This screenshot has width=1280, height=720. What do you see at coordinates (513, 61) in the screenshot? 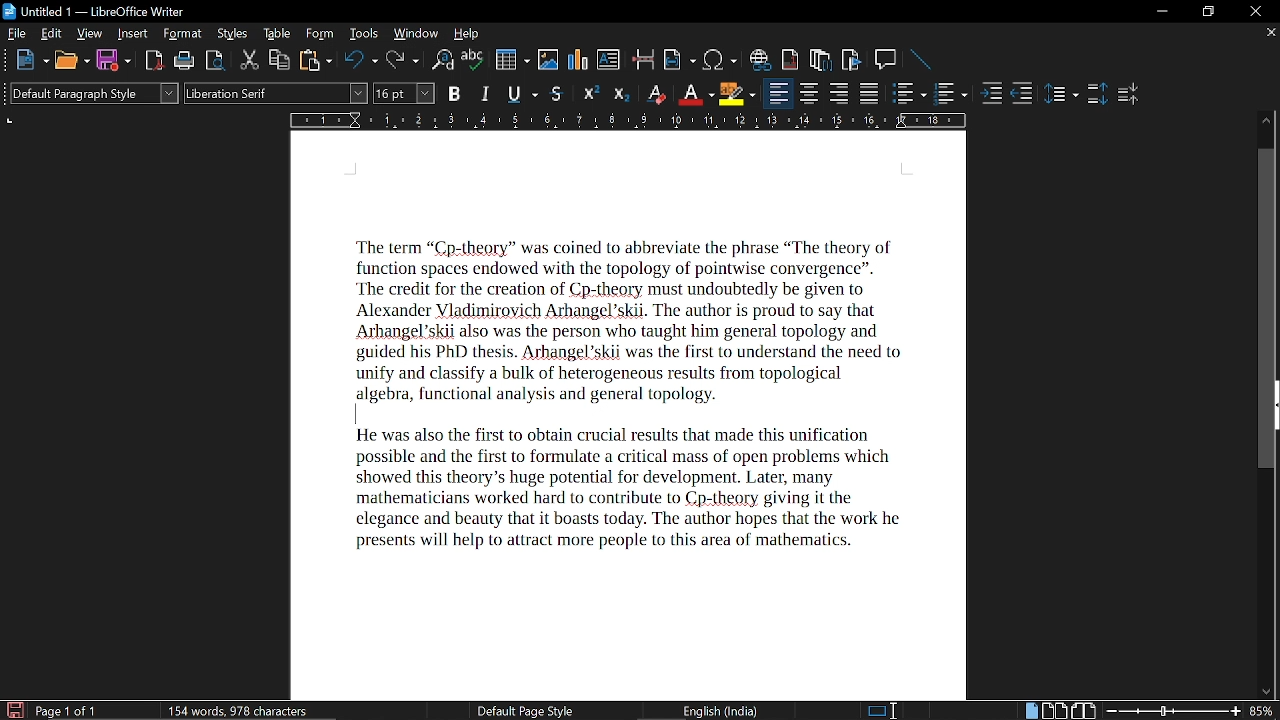
I see `Insert table` at bounding box center [513, 61].